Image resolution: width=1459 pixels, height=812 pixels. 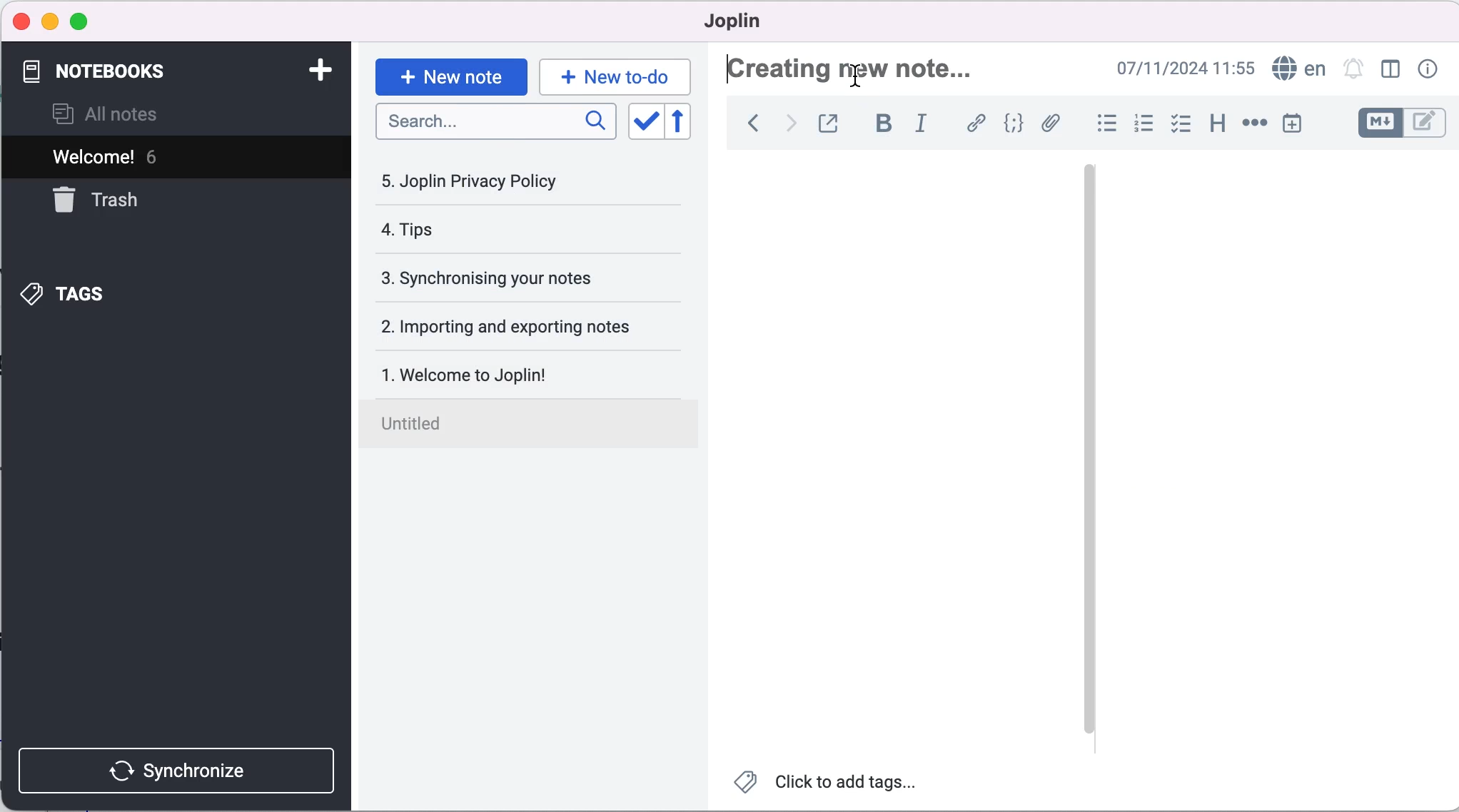 What do you see at coordinates (973, 124) in the screenshot?
I see `hyperlink` at bounding box center [973, 124].